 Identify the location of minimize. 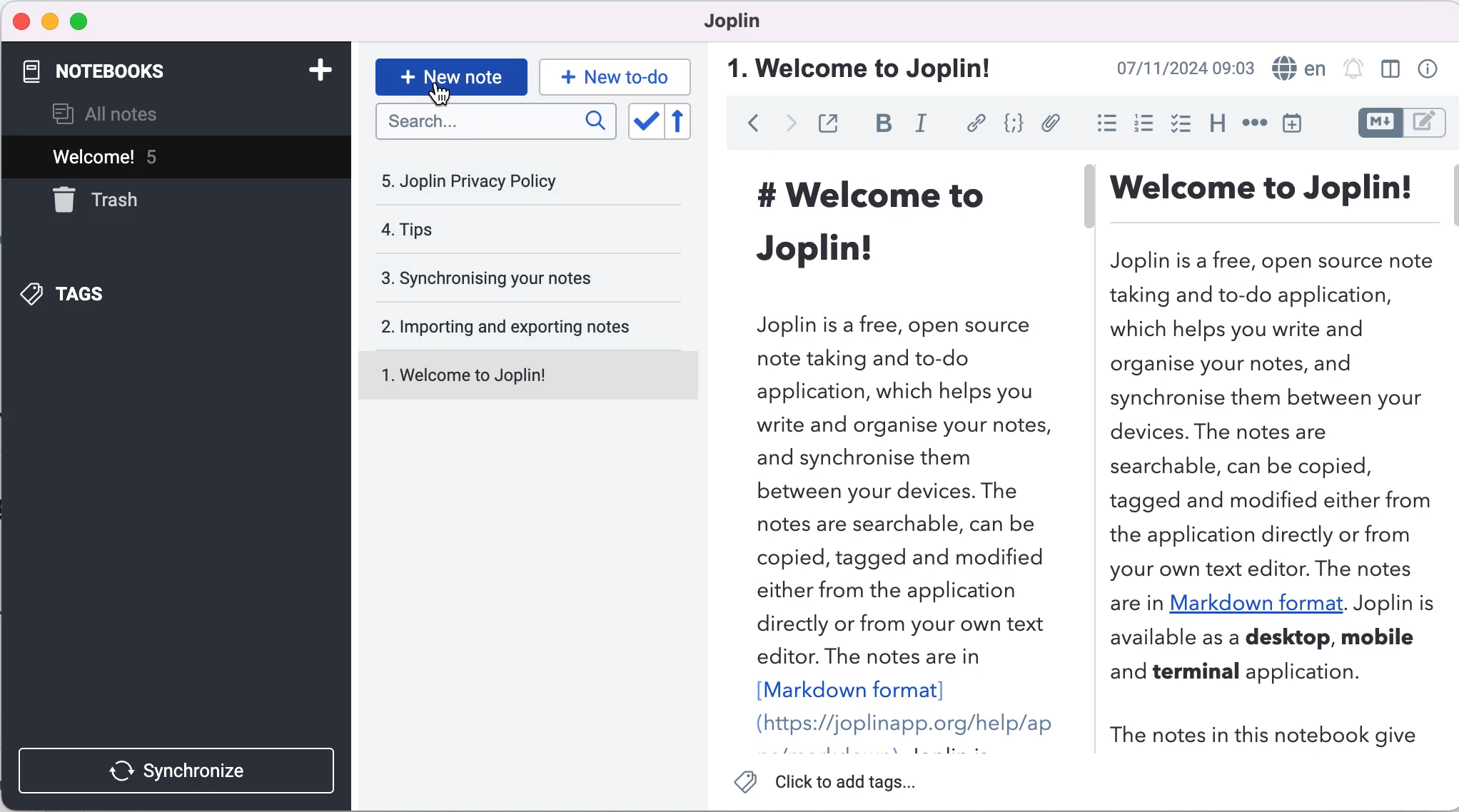
(50, 21).